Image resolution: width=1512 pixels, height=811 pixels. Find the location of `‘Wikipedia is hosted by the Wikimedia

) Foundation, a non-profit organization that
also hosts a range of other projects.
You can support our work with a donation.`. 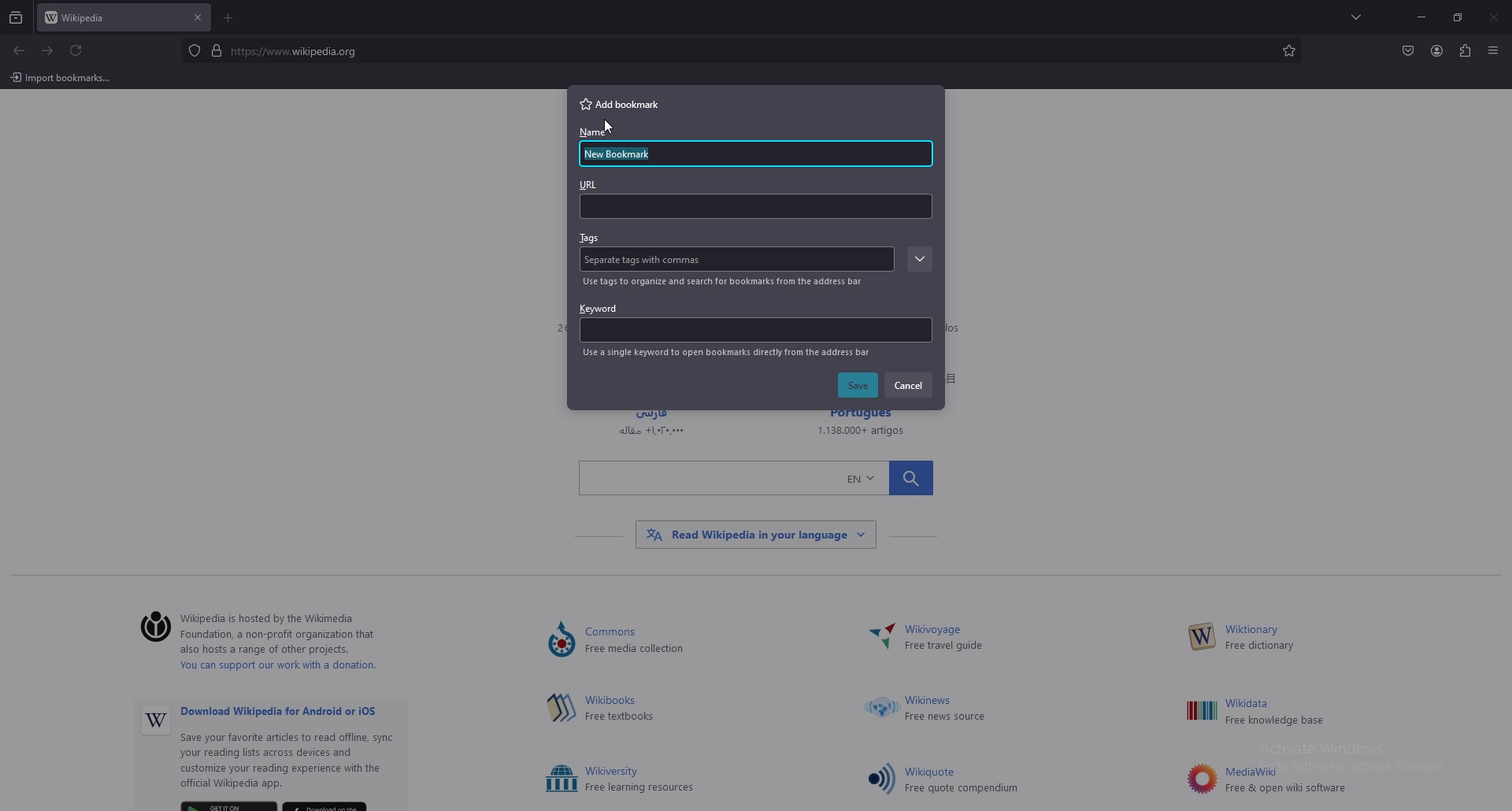

‘Wikipedia is hosted by the Wikimedia

) Foundation, a non-profit organization that
also hosts a range of other projects.
You can support our work with a donation. is located at coordinates (291, 644).